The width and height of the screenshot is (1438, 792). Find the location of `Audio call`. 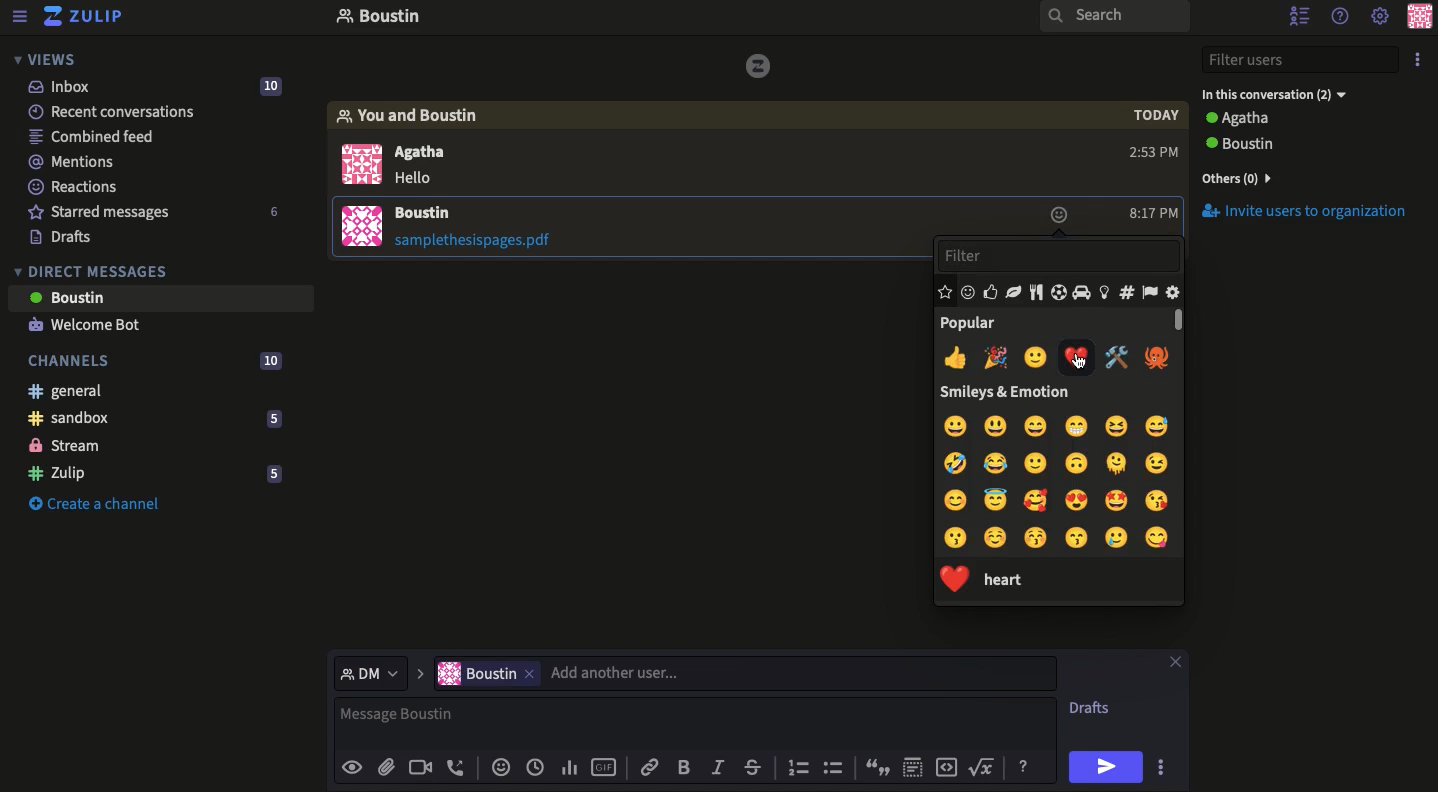

Audio call is located at coordinates (458, 766).